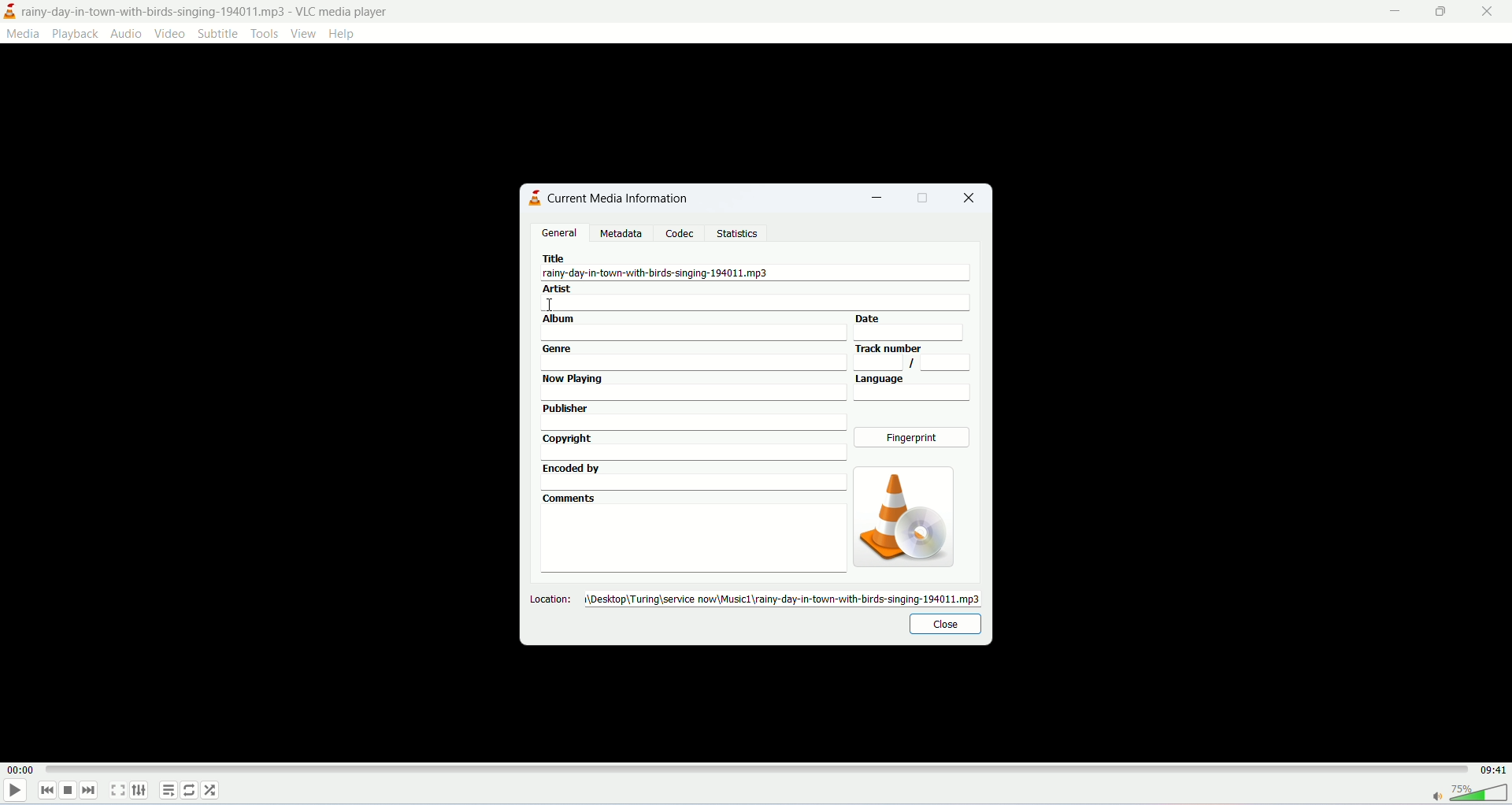  I want to click on fingerprint, so click(914, 439).